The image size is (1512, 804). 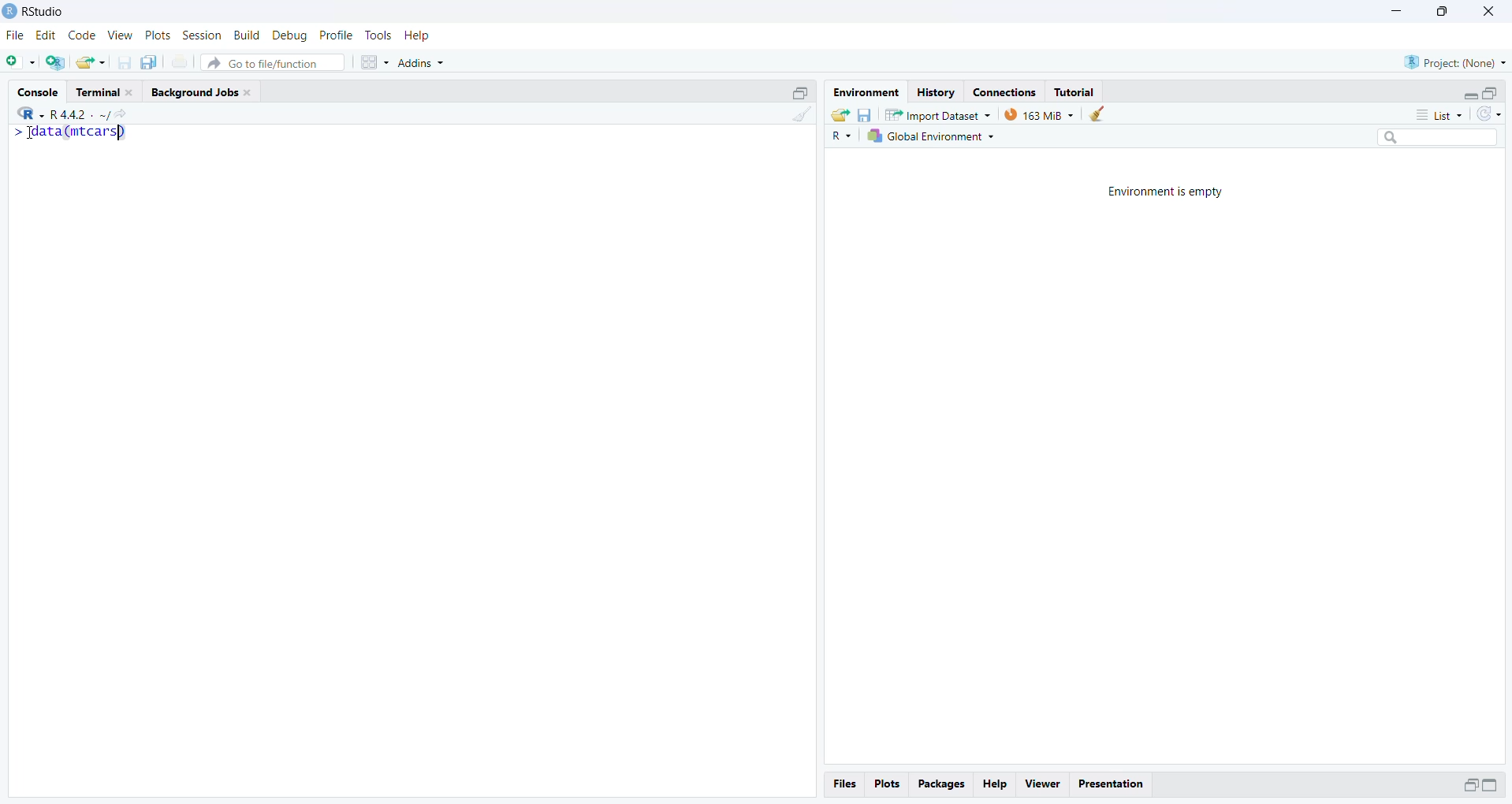 What do you see at coordinates (938, 93) in the screenshot?
I see `History` at bounding box center [938, 93].